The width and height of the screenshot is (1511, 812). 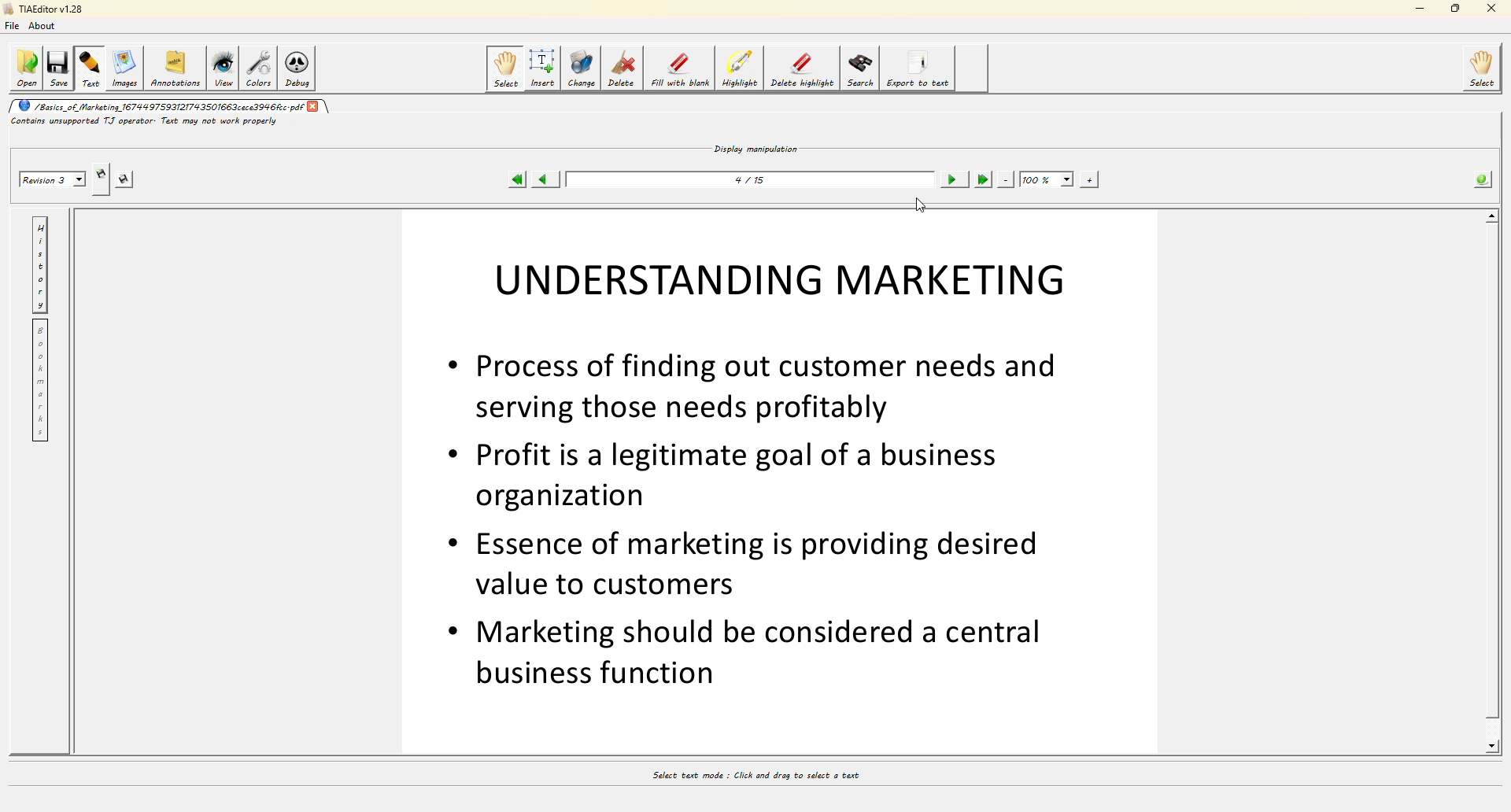 What do you see at coordinates (1493, 749) in the screenshot?
I see `scroll down` at bounding box center [1493, 749].